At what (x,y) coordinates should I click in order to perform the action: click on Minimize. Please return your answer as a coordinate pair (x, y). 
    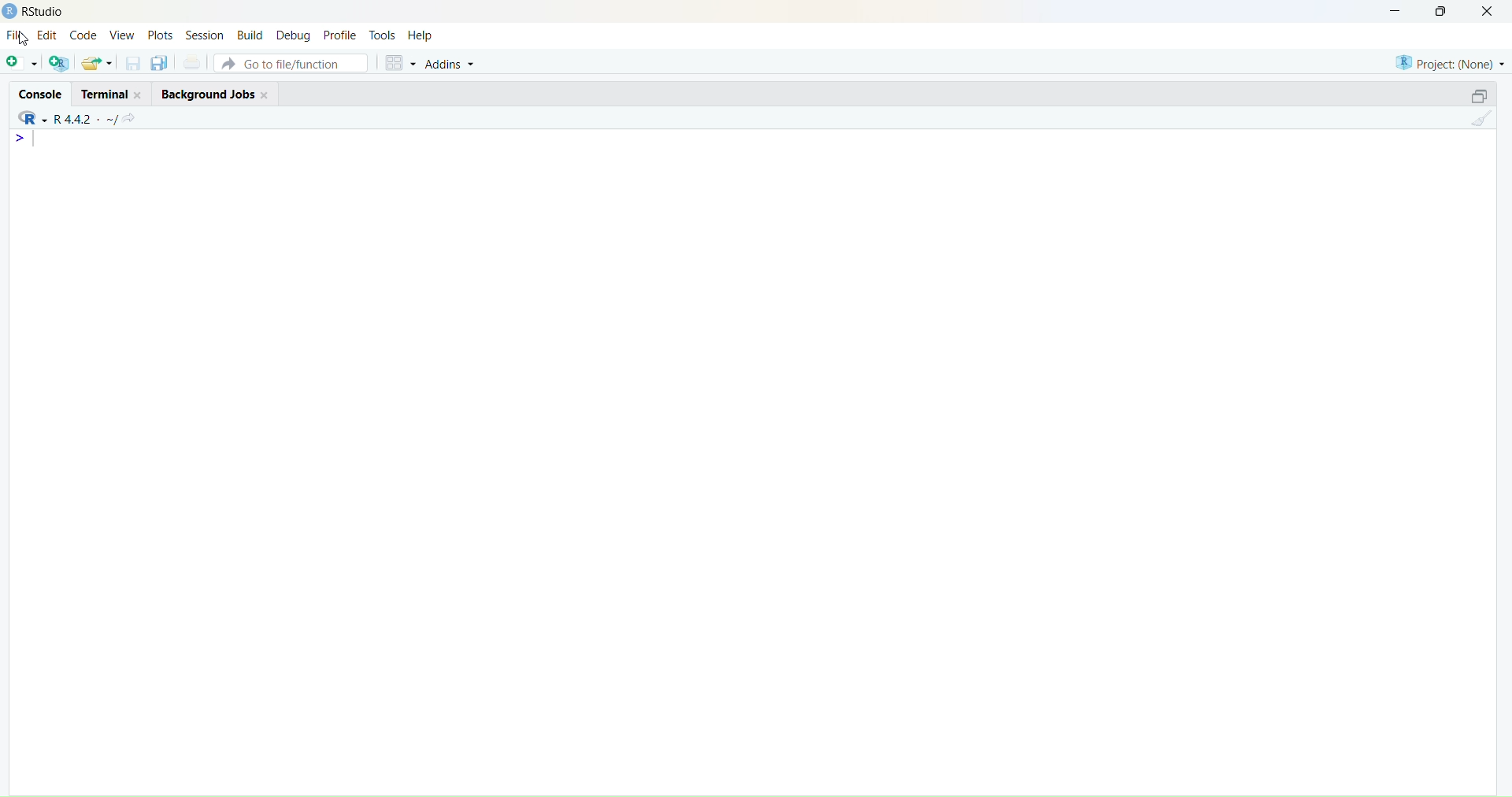
    Looking at the image, I should click on (1392, 11).